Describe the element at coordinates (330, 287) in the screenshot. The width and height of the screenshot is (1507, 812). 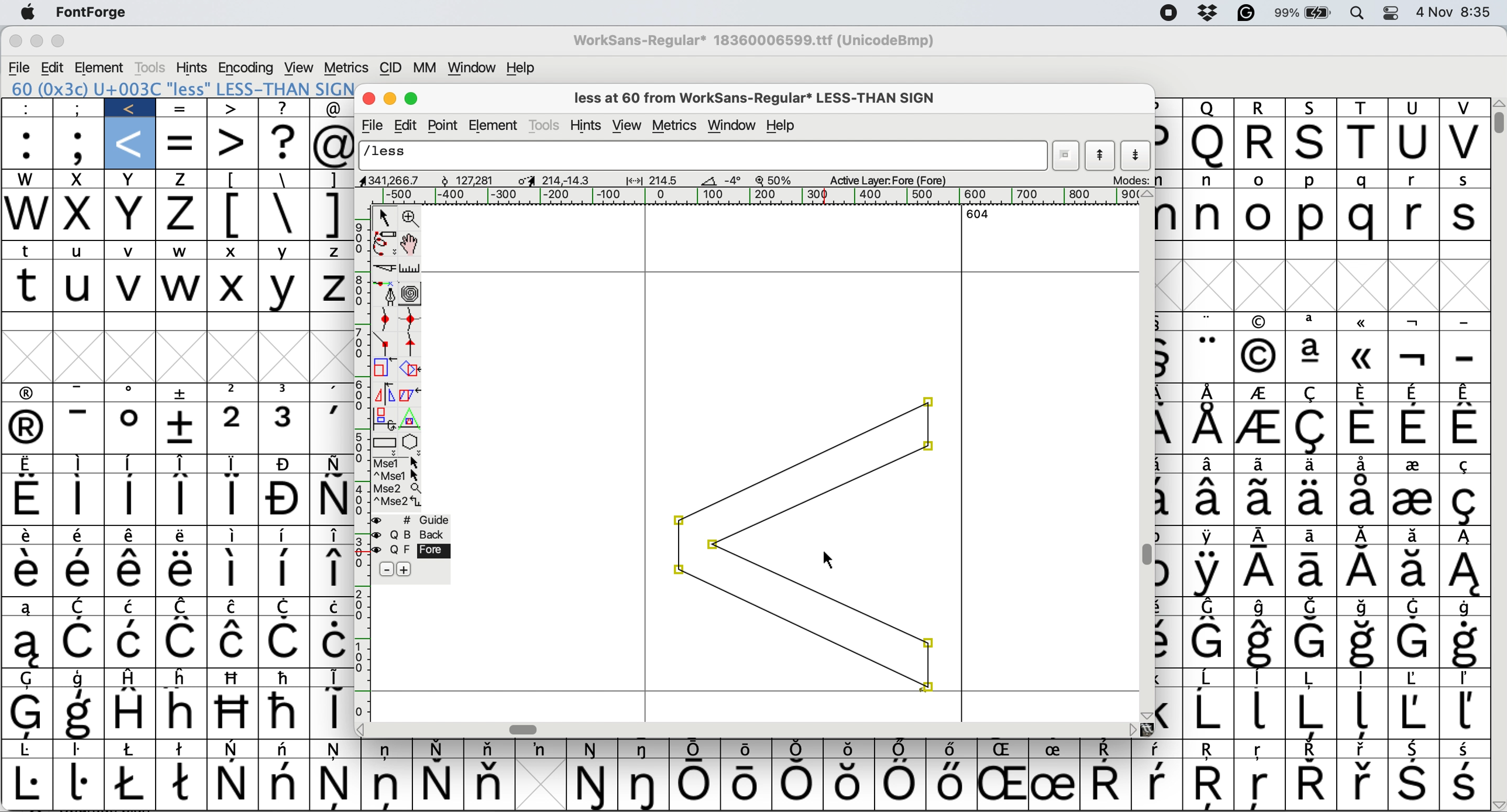
I see `Z` at that location.